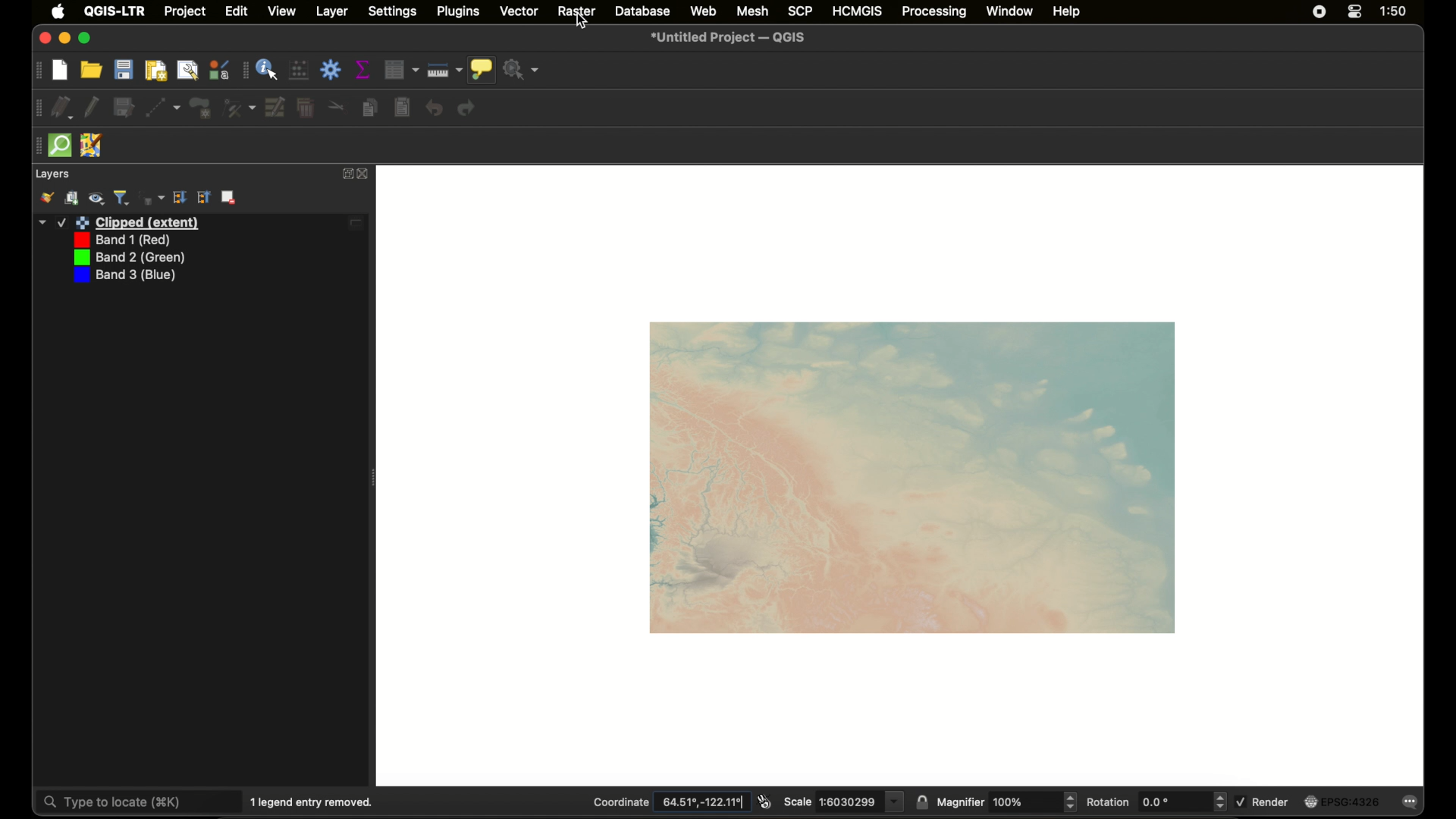  I want to click on untitled project  - QGIS, so click(729, 38).